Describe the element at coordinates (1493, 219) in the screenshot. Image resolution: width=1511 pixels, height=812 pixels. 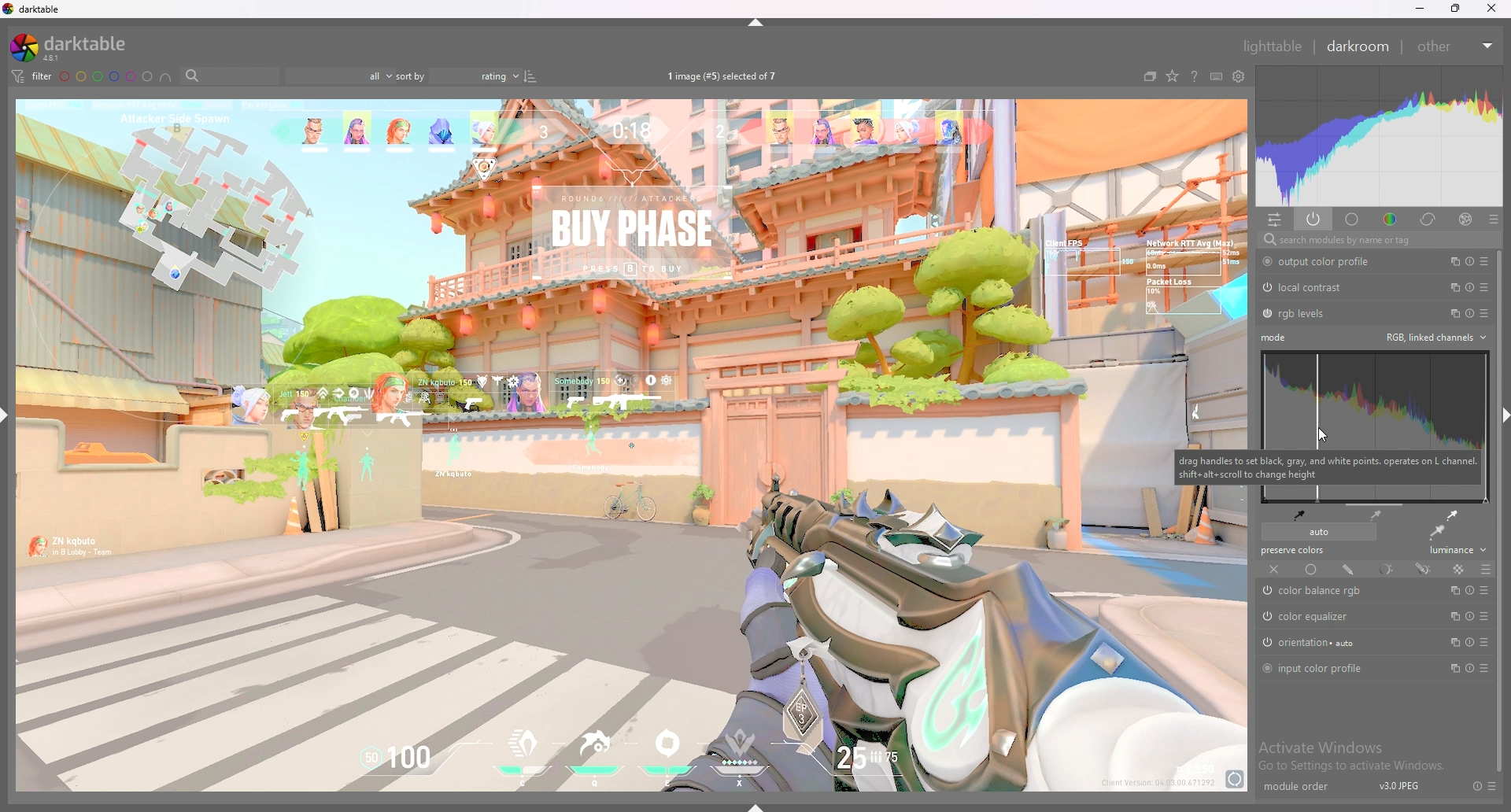
I see `presets` at that location.